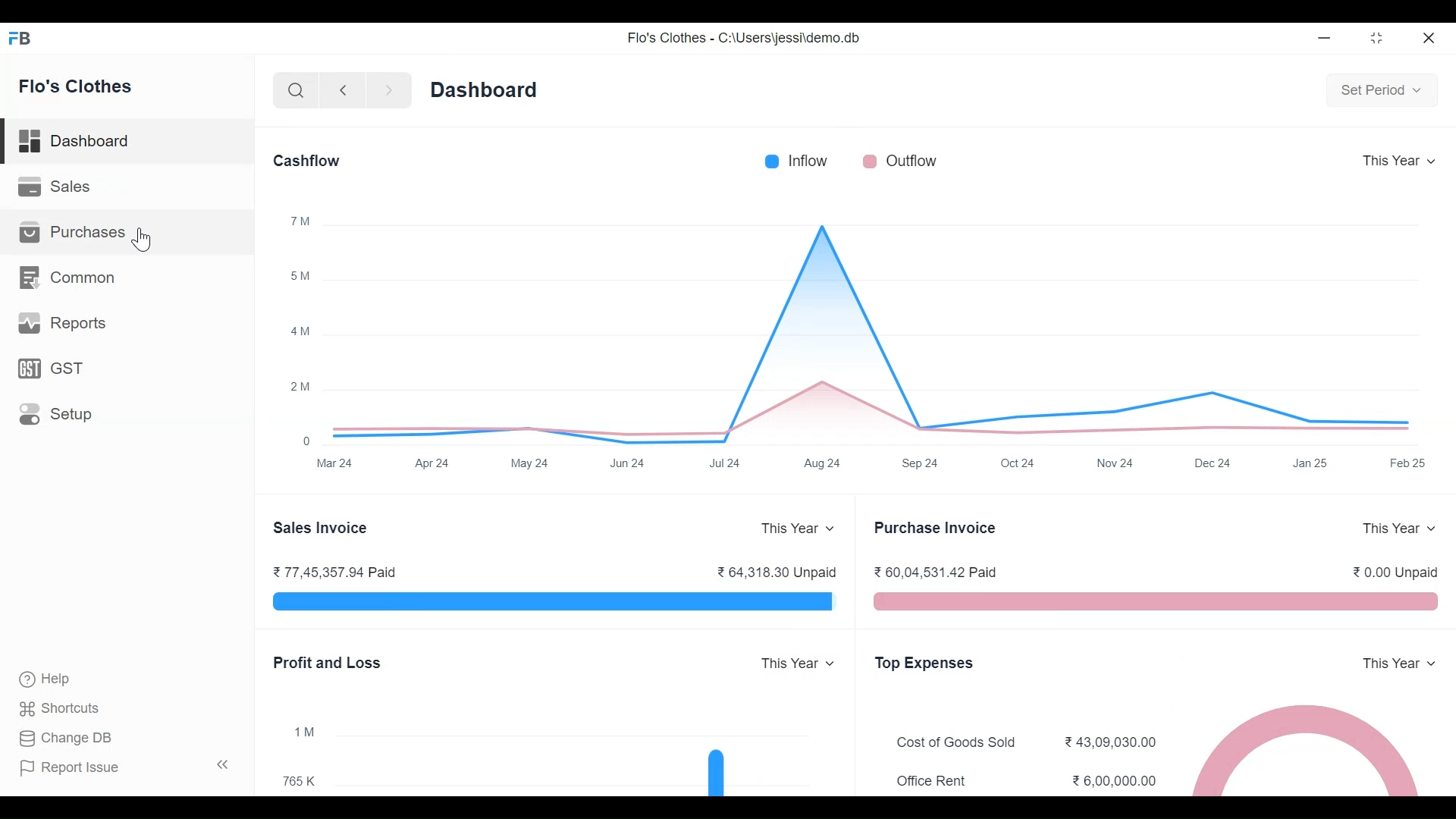 The height and width of the screenshot is (819, 1456). I want to click on [0, so click(308, 441).